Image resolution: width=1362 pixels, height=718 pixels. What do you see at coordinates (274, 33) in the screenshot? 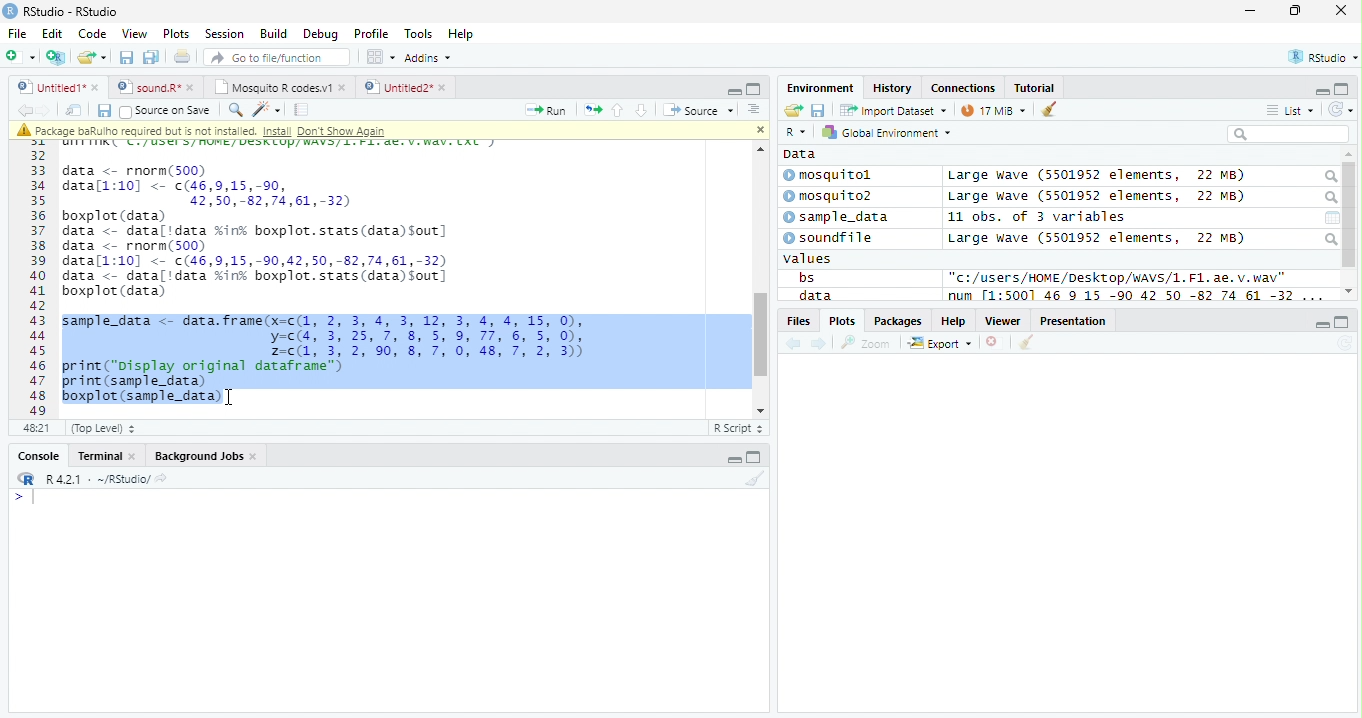
I see `Build` at bounding box center [274, 33].